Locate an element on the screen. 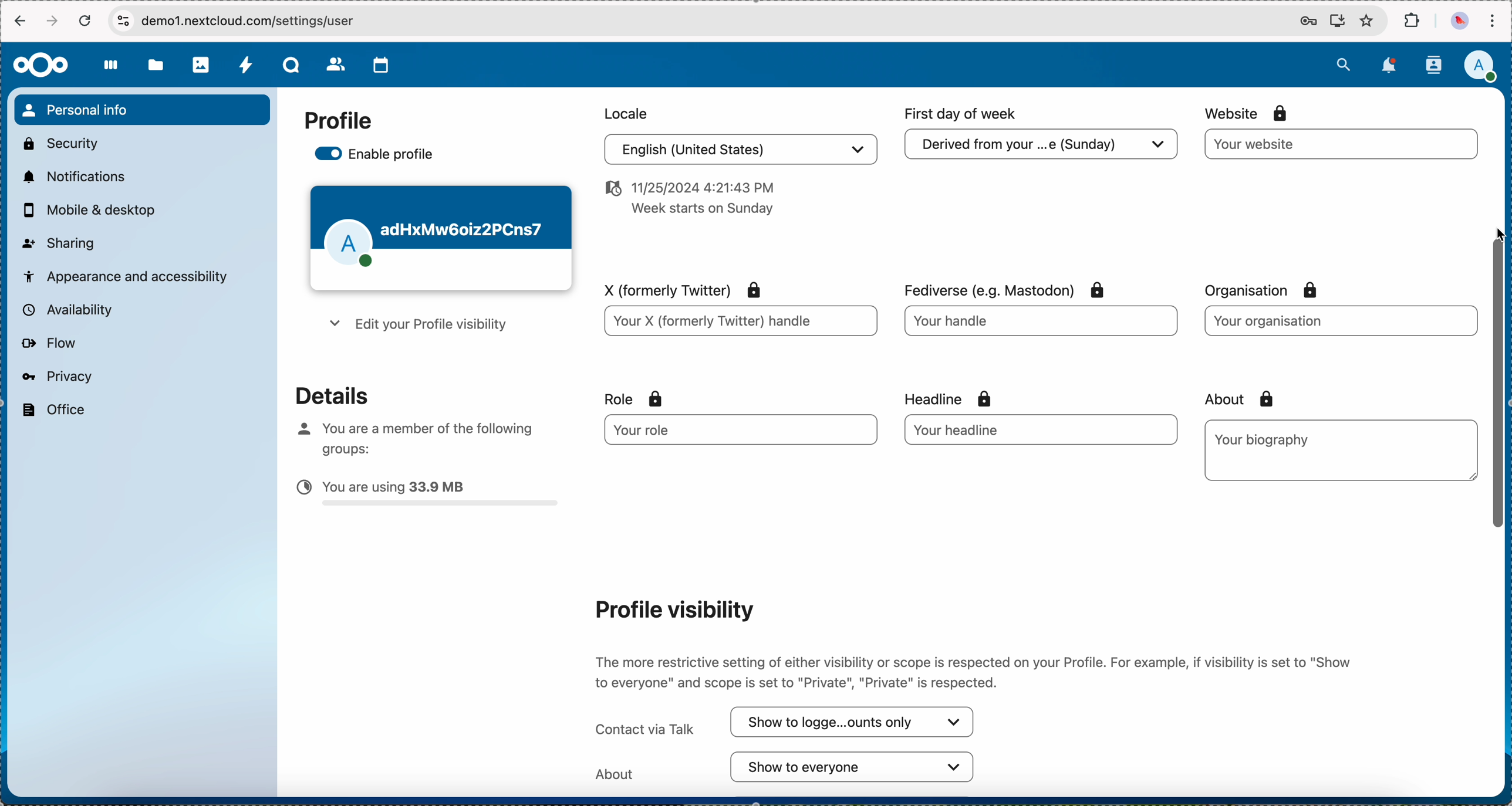 This screenshot has width=1512, height=806. install Nextcloud is located at coordinates (1338, 22).